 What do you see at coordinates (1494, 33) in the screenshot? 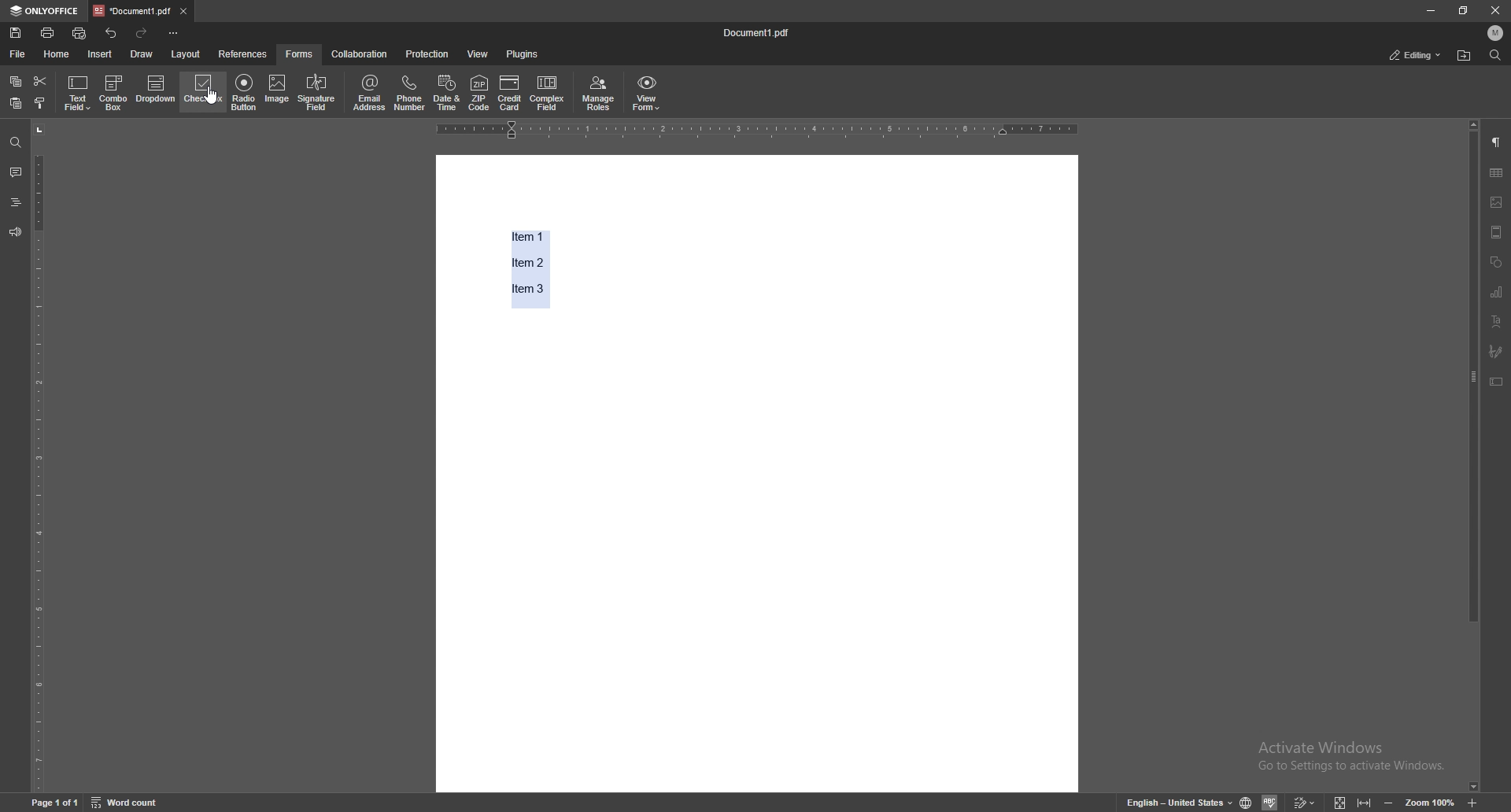
I see `profile` at bounding box center [1494, 33].